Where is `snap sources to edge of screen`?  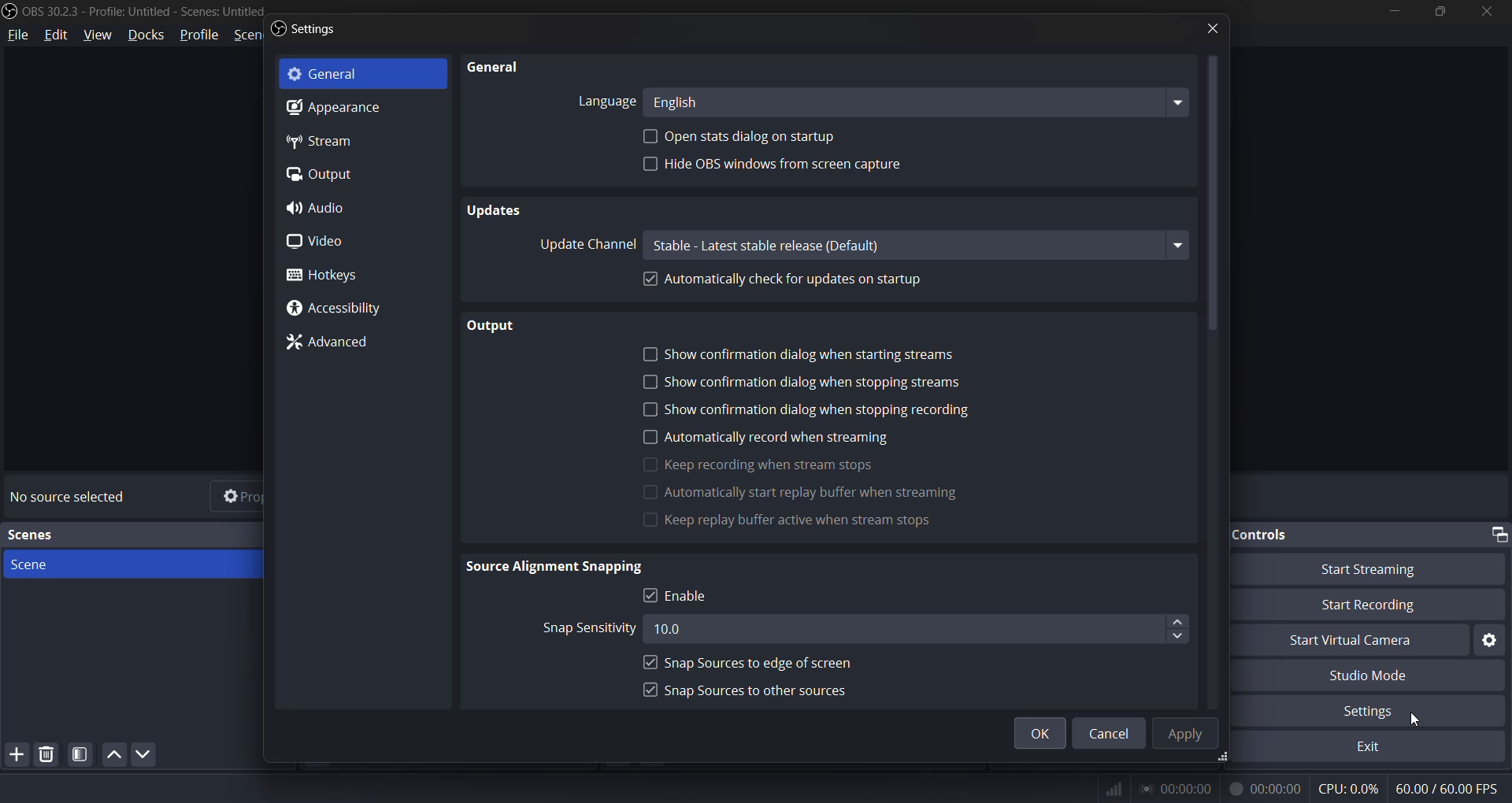
snap sources to edge of screen is located at coordinates (764, 664).